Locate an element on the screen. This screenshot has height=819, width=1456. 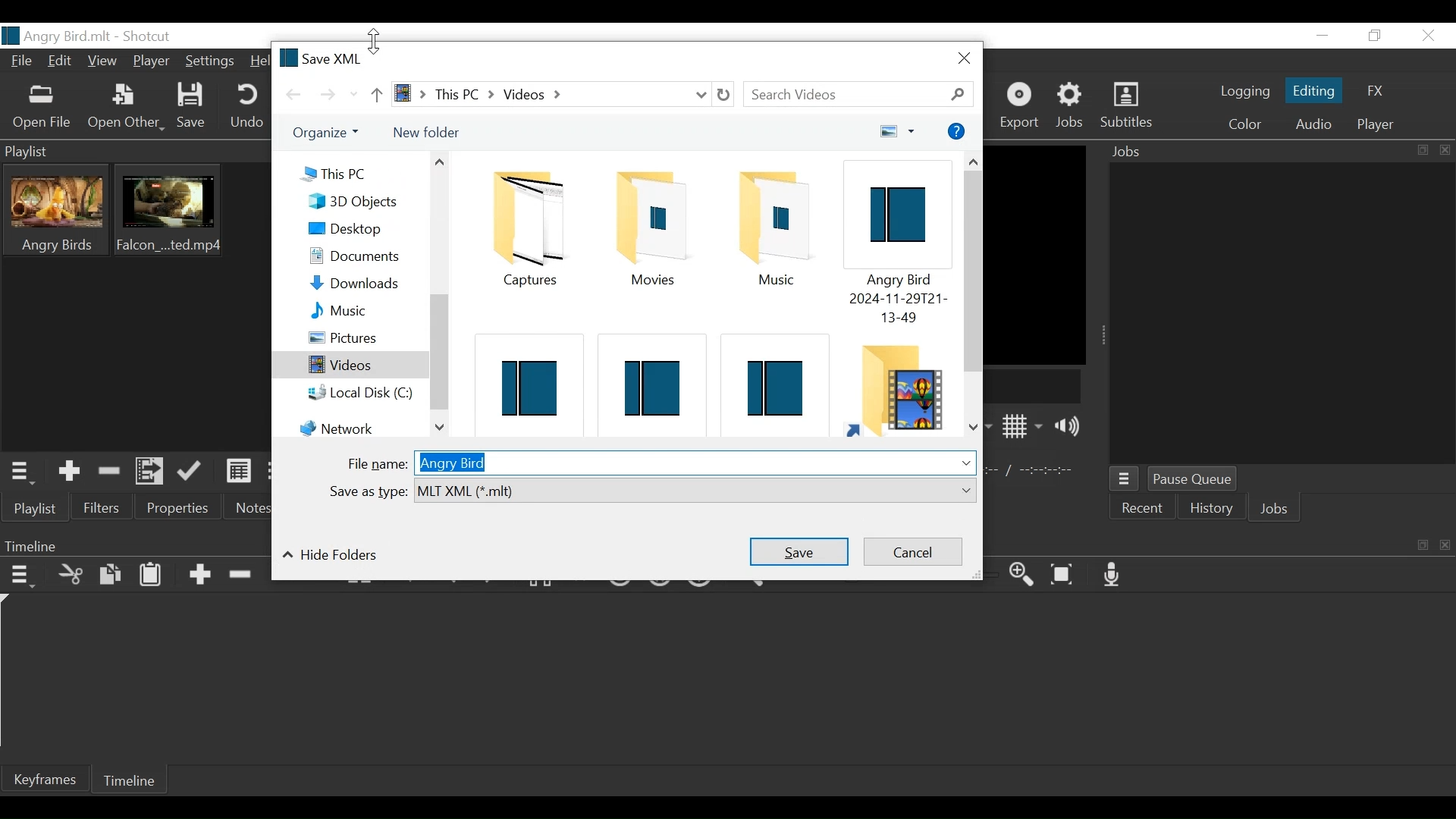
Player is located at coordinates (1373, 127).